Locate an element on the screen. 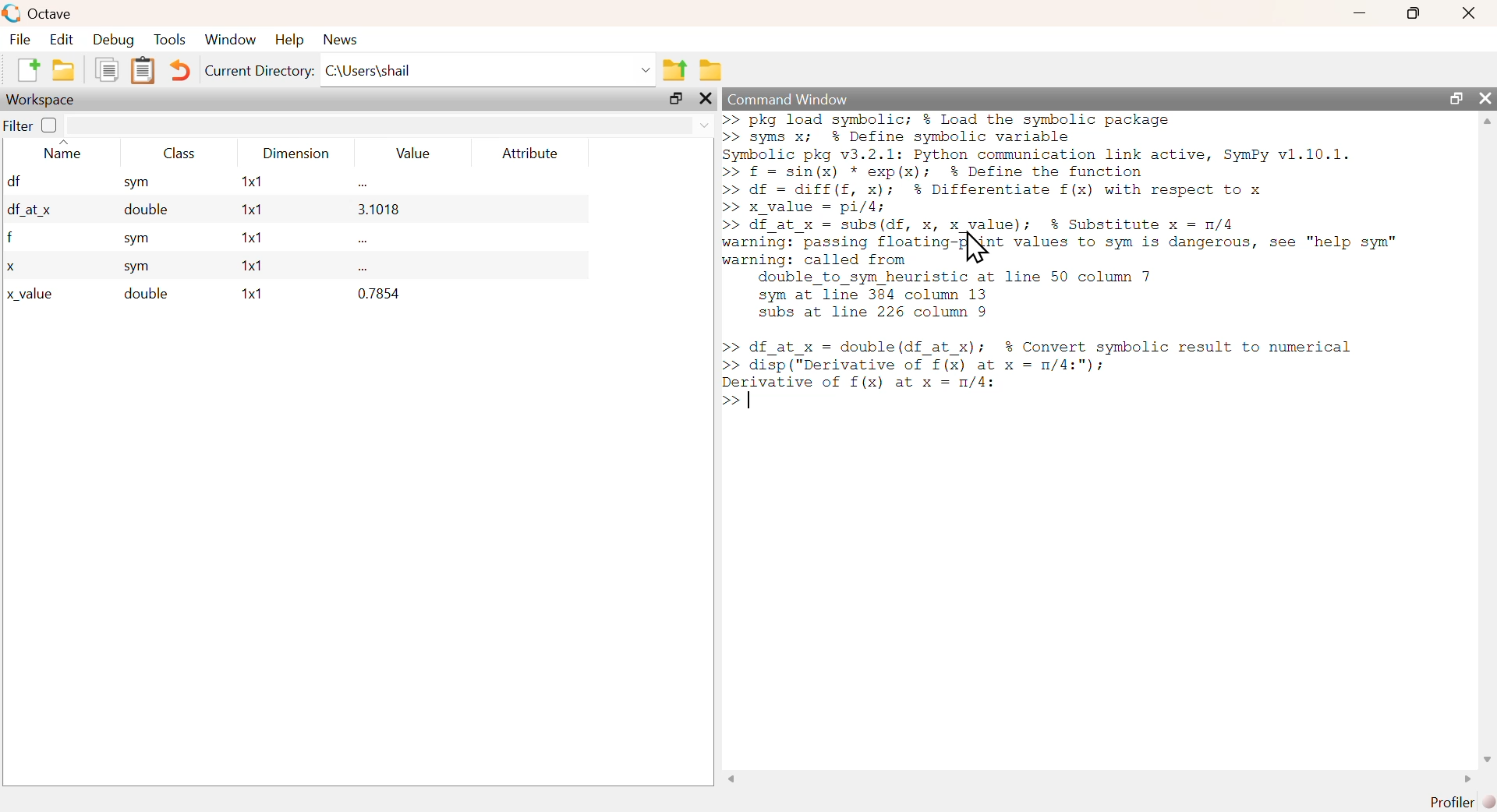  Undo is located at coordinates (180, 70).